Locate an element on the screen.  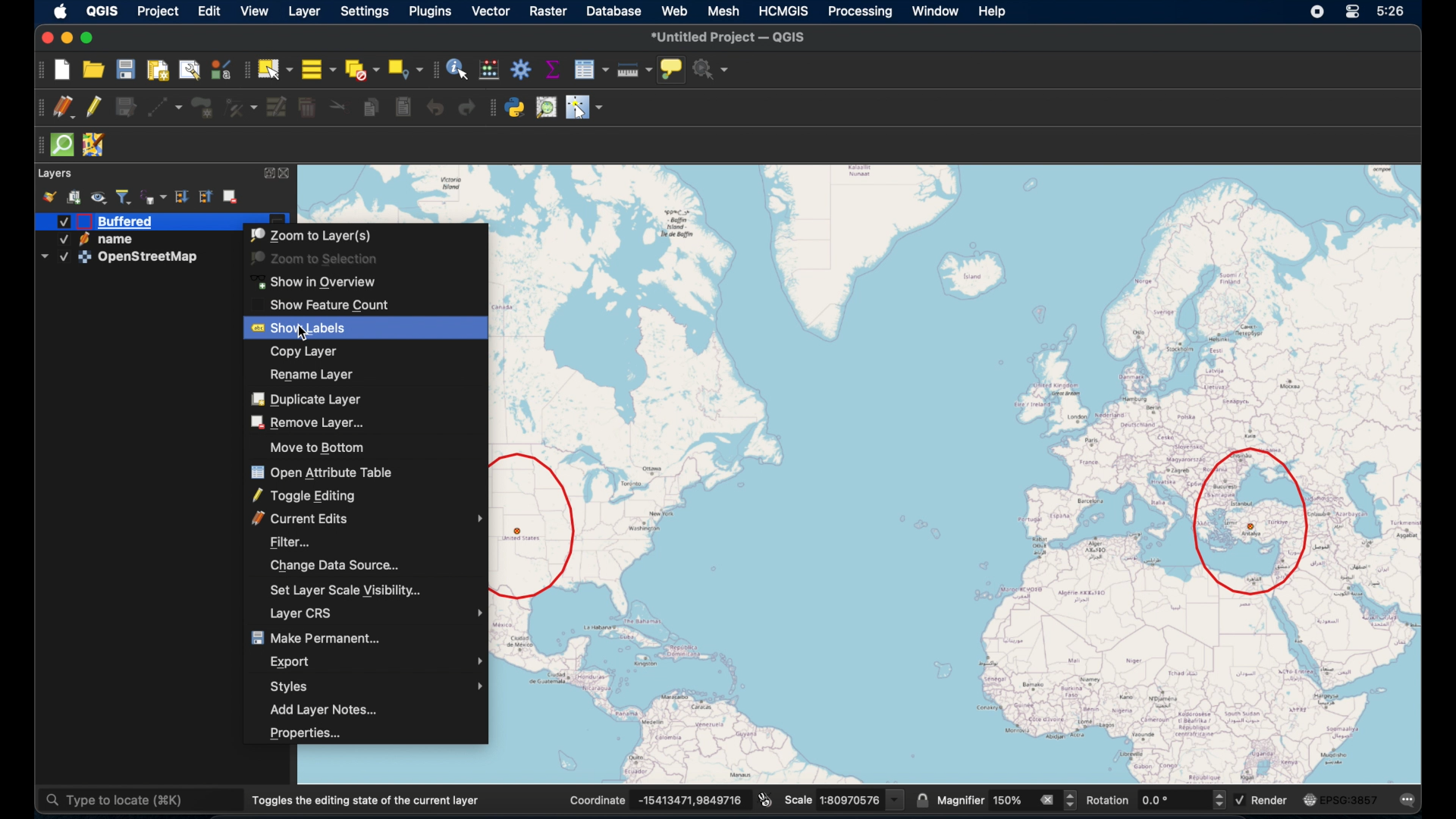
open attribute table is located at coordinates (325, 472).